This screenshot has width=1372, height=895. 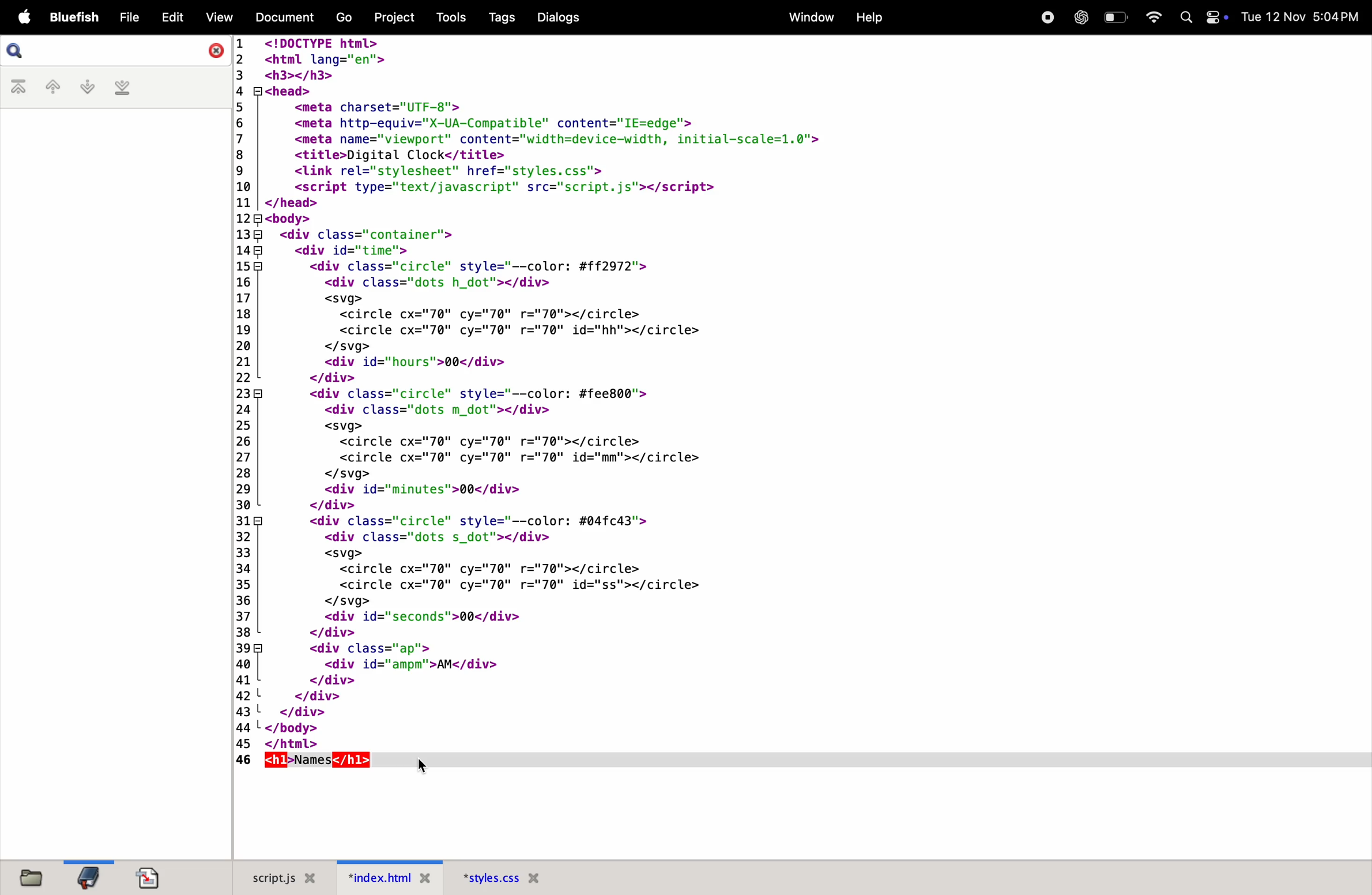 I want to click on file, so click(x=127, y=18).